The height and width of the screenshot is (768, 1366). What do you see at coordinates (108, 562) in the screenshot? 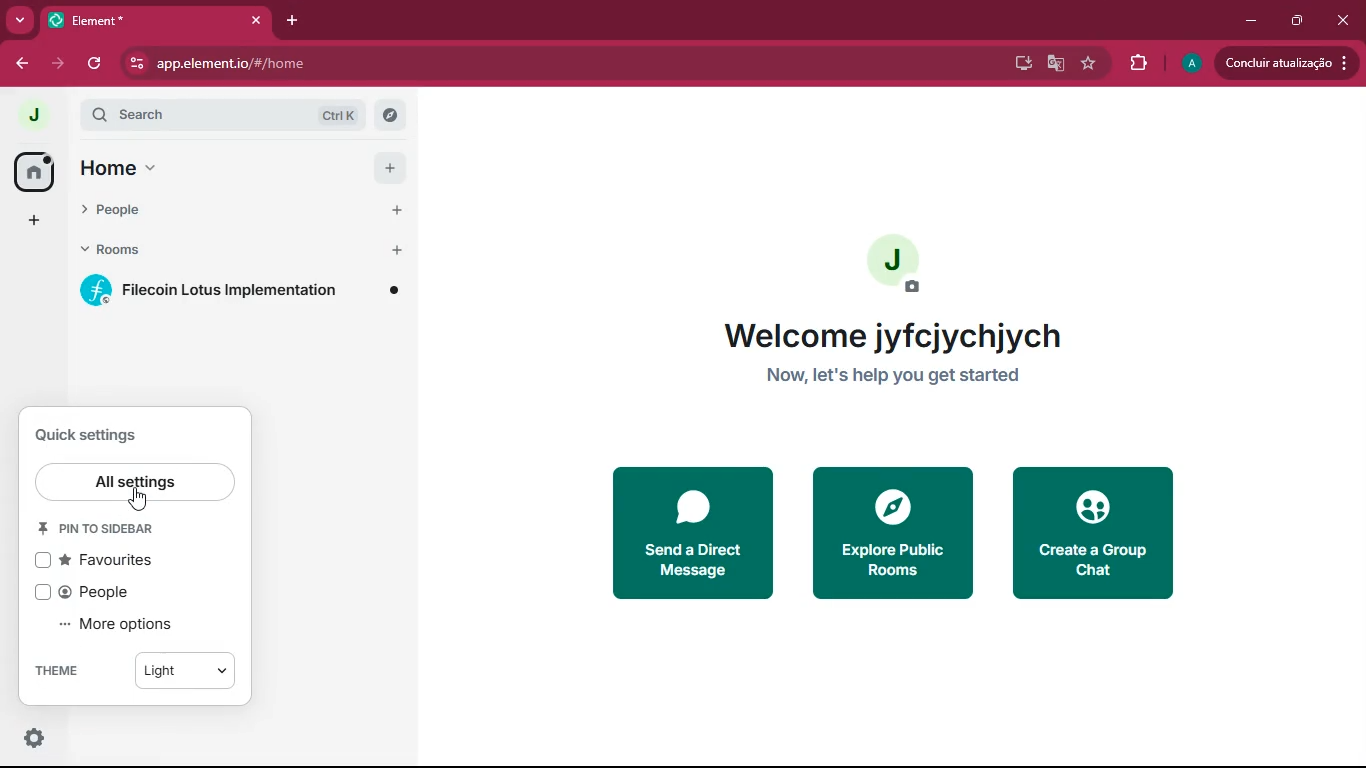
I see `favourites` at bounding box center [108, 562].